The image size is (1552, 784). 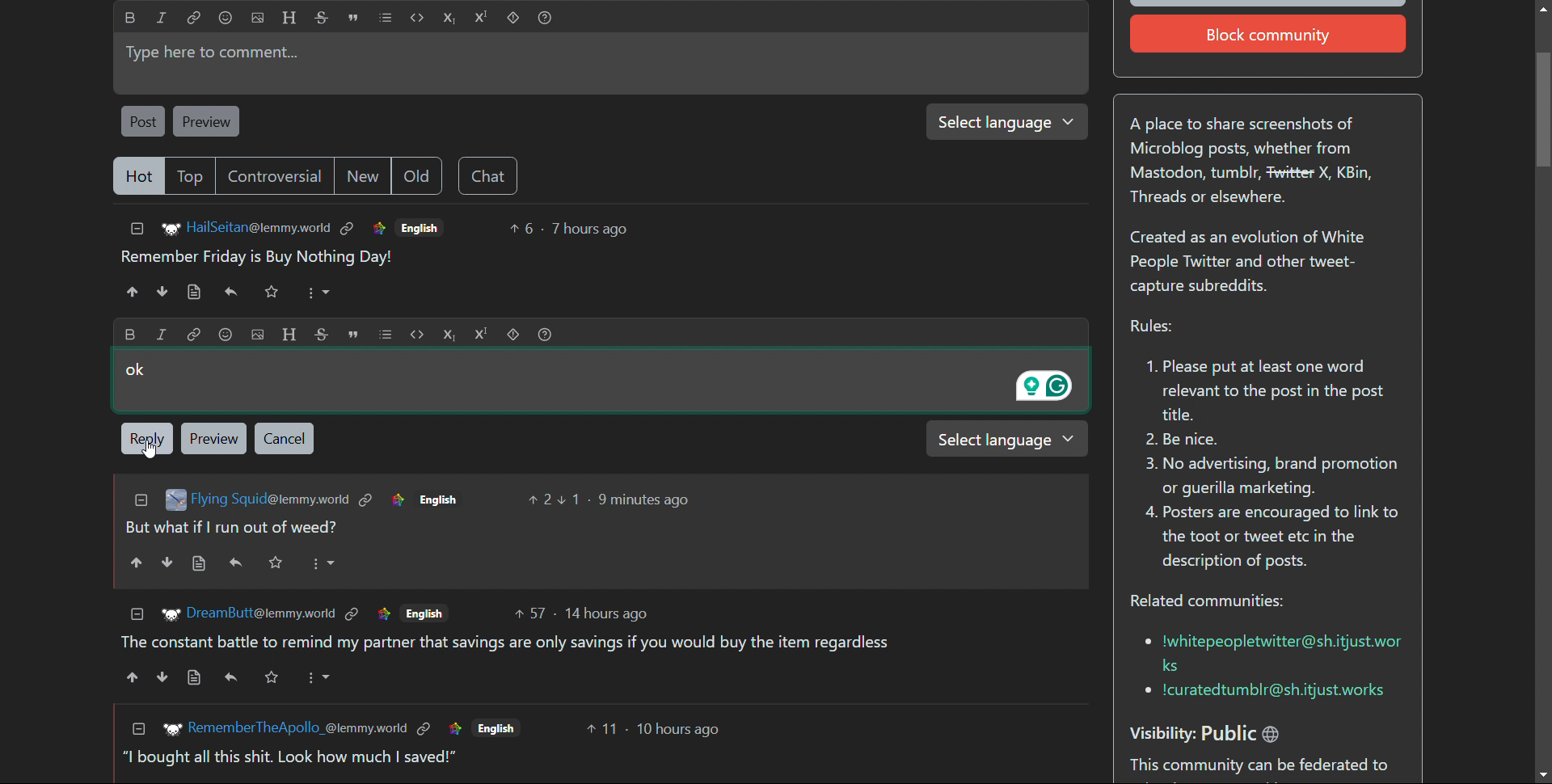 What do you see at coordinates (225, 18) in the screenshot?
I see `emoji` at bounding box center [225, 18].